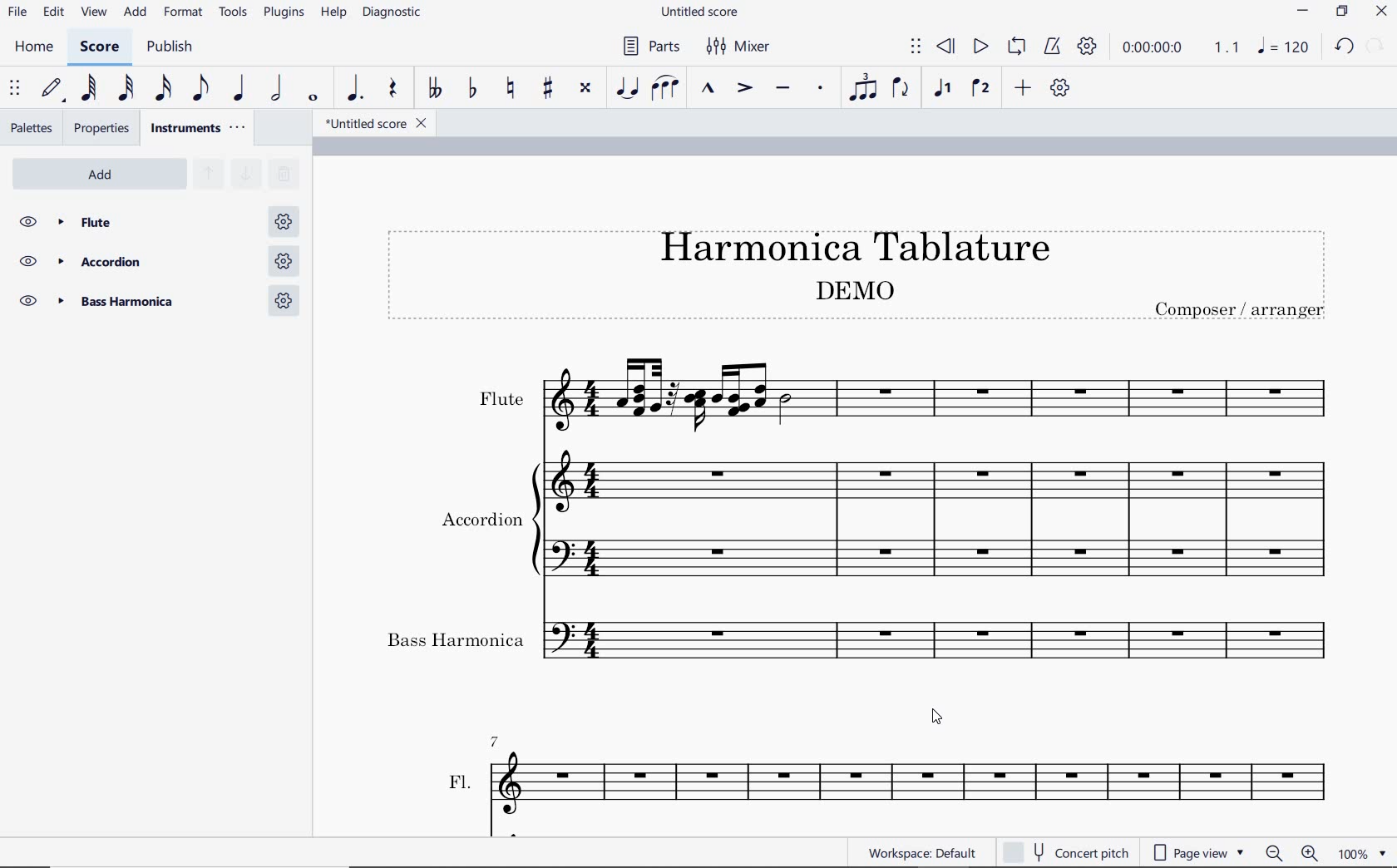 This screenshot has width=1397, height=868. Describe the element at coordinates (240, 88) in the screenshot. I see `quarter note` at that location.